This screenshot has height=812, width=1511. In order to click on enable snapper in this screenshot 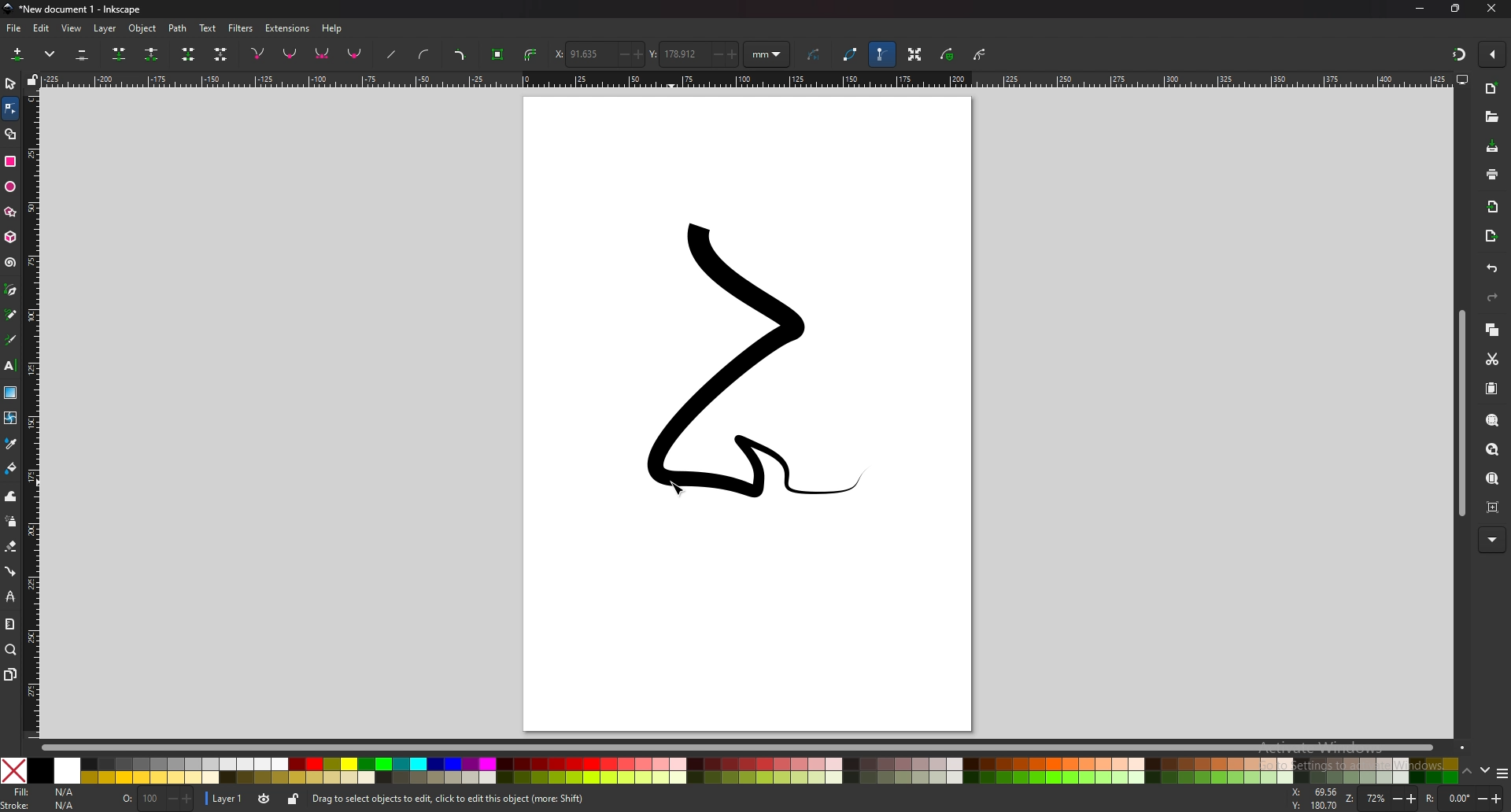, I will do `click(1492, 55)`.